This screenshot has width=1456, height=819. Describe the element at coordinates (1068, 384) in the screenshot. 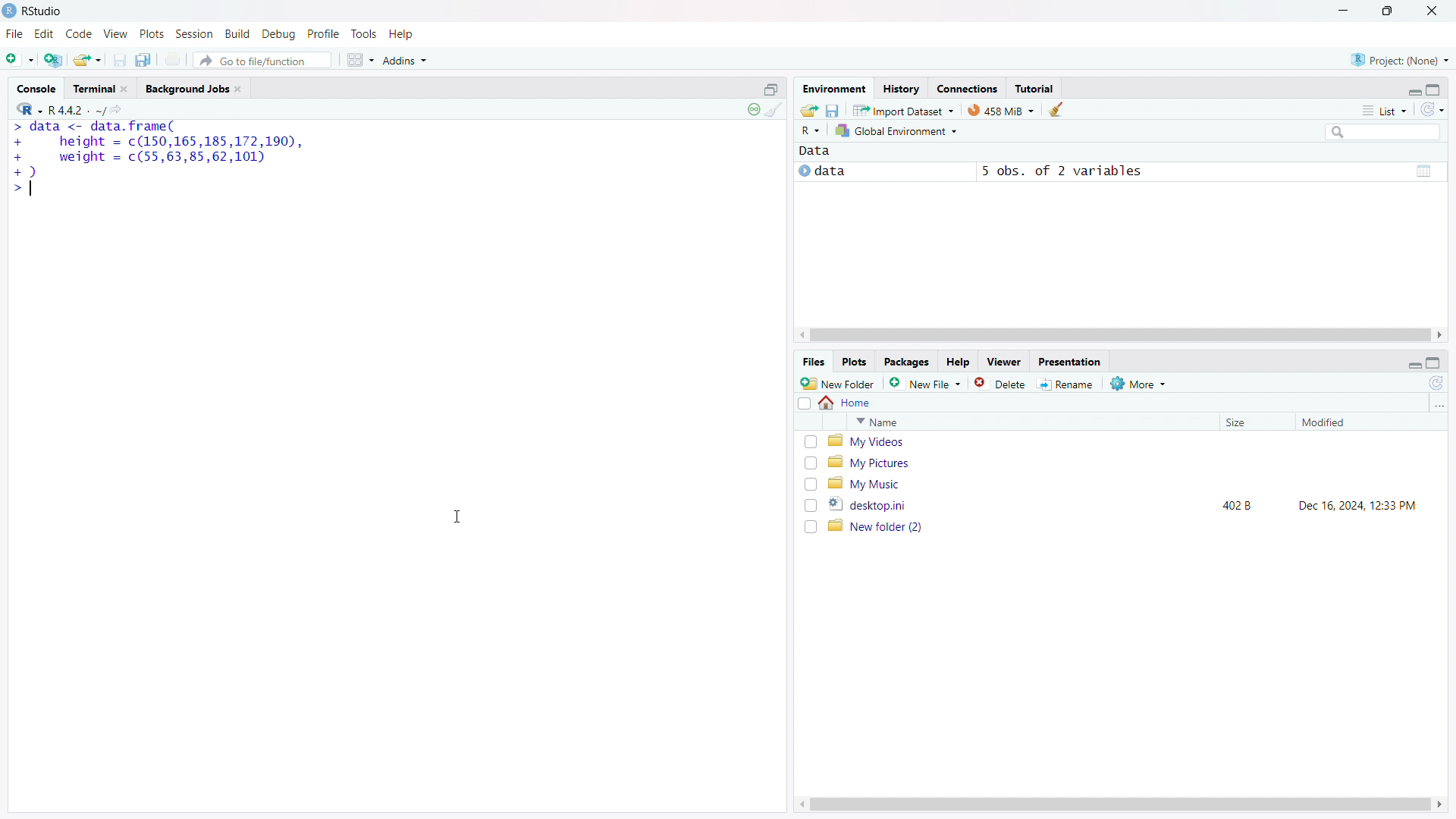

I see `rename` at that location.